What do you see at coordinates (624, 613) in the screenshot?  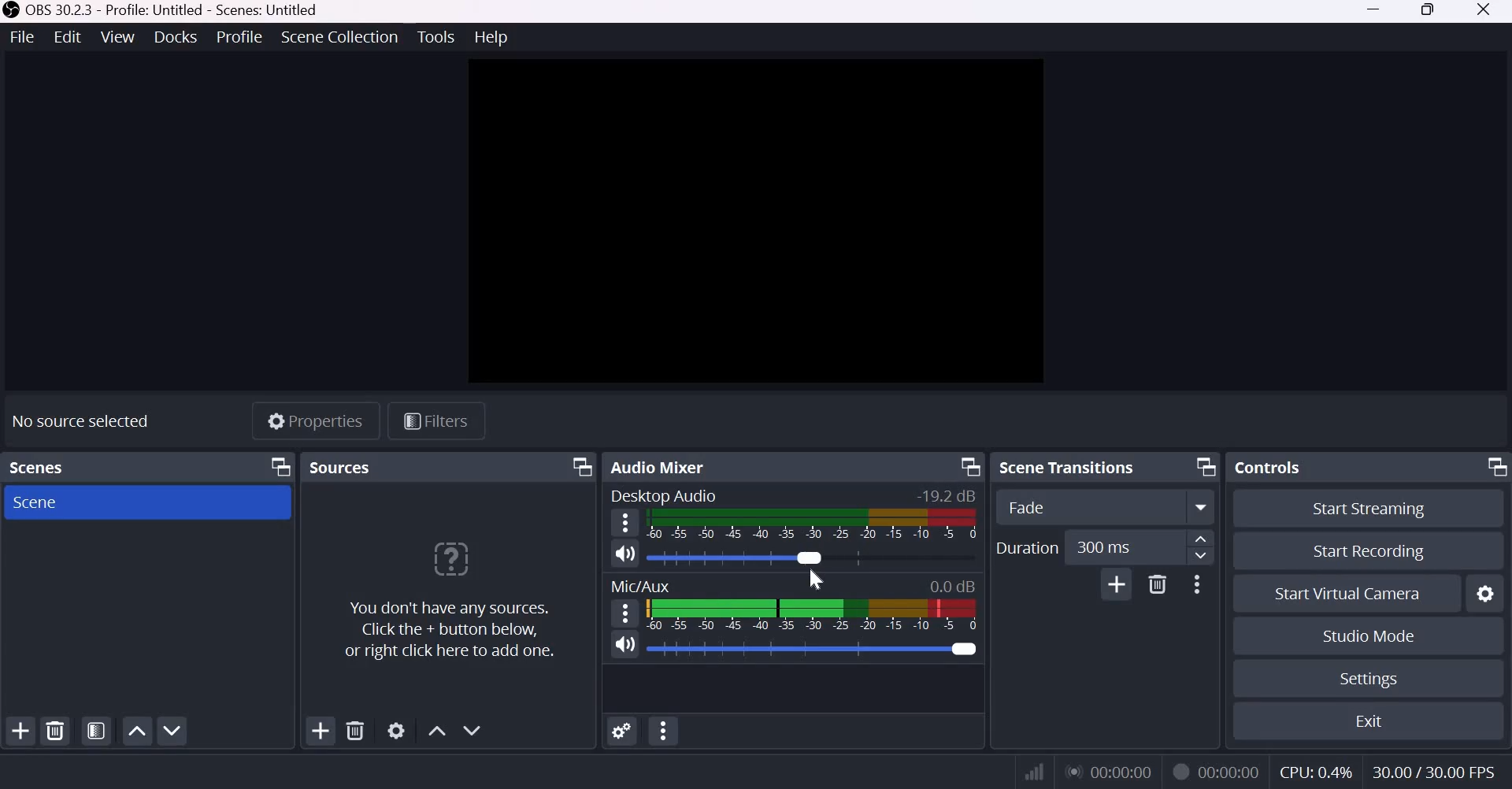 I see `hamburger menu` at bounding box center [624, 613].